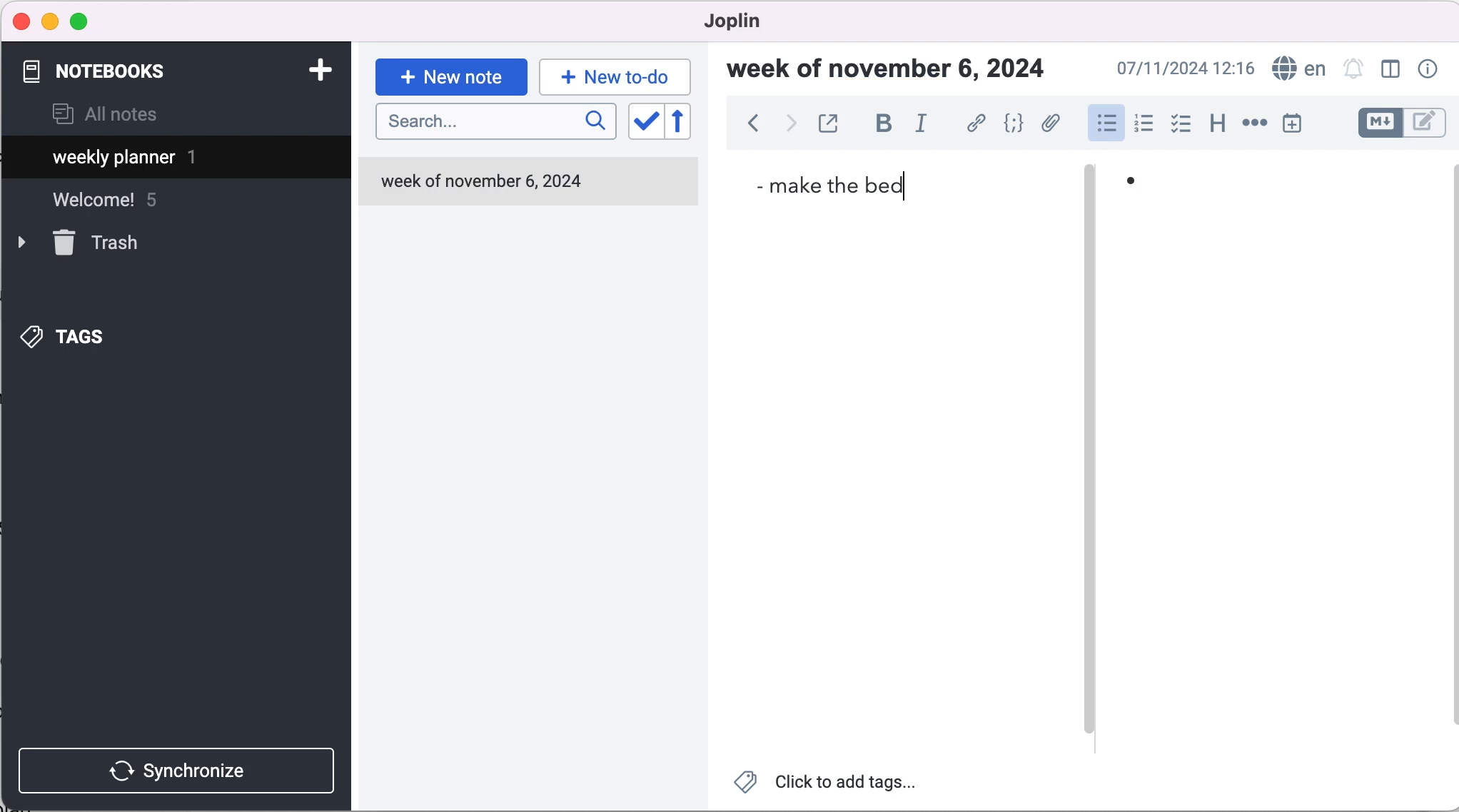  Describe the element at coordinates (180, 770) in the screenshot. I see `synchronize` at that location.